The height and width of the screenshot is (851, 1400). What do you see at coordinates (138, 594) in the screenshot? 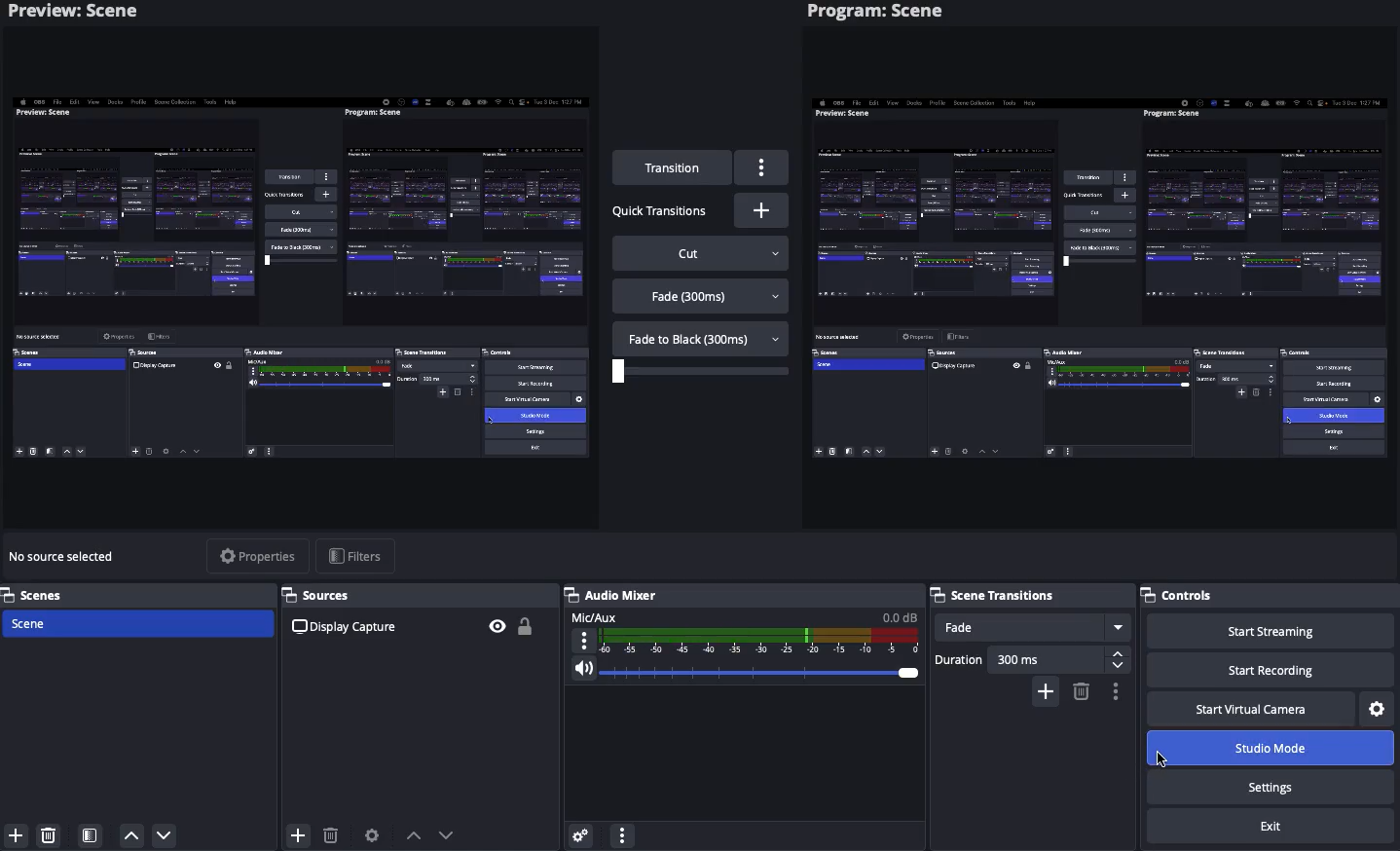
I see `Scenes` at bounding box center [138, 594].